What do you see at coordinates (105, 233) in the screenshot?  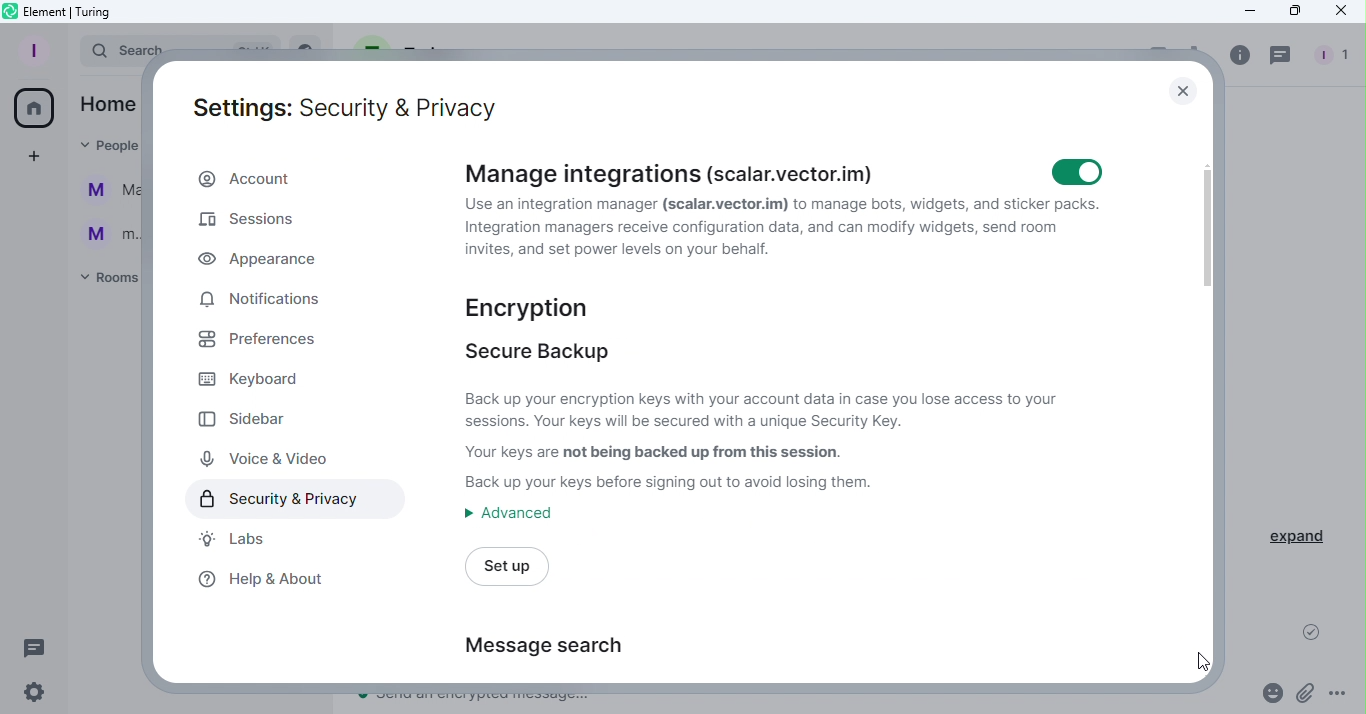 I see `m...@t...` at bounding box center [105, 233].